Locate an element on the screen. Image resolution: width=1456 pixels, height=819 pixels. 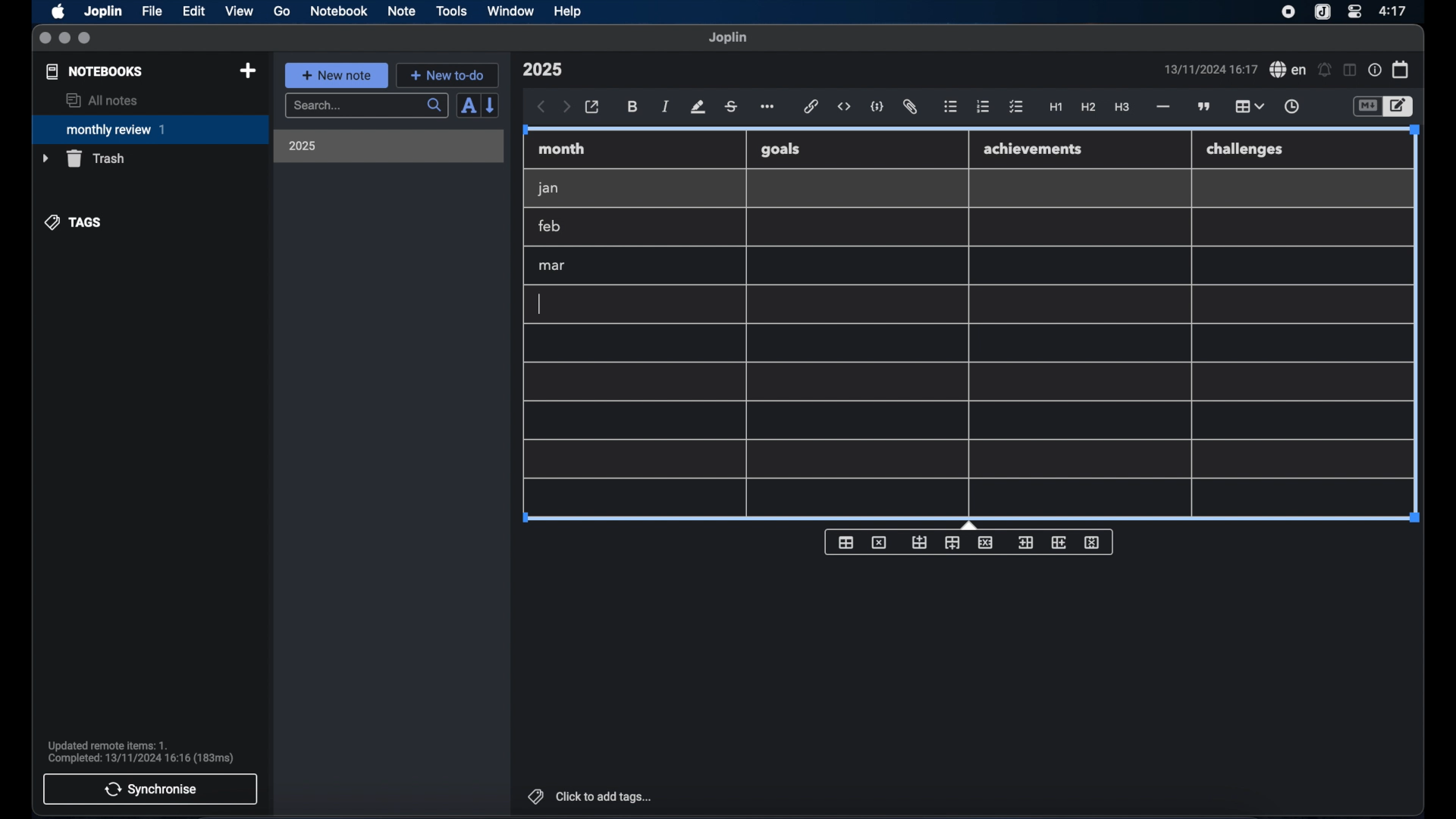
attach file is located at coordinates (910, 107).